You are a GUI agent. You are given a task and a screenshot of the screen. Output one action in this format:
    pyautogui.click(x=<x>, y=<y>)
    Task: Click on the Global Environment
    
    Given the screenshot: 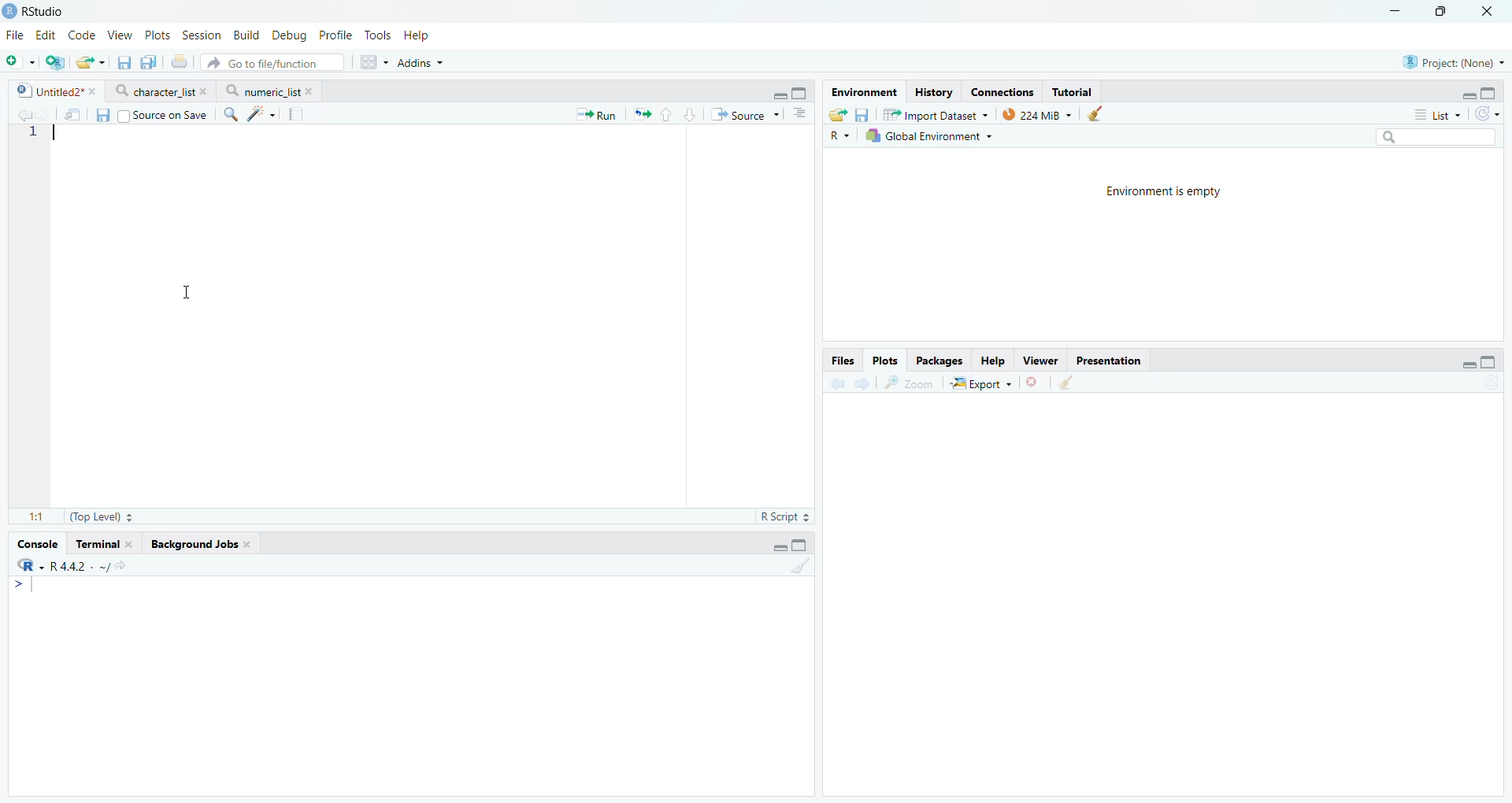 What is the action you would take?
    pyautogui.click(x=928, y=137)
    